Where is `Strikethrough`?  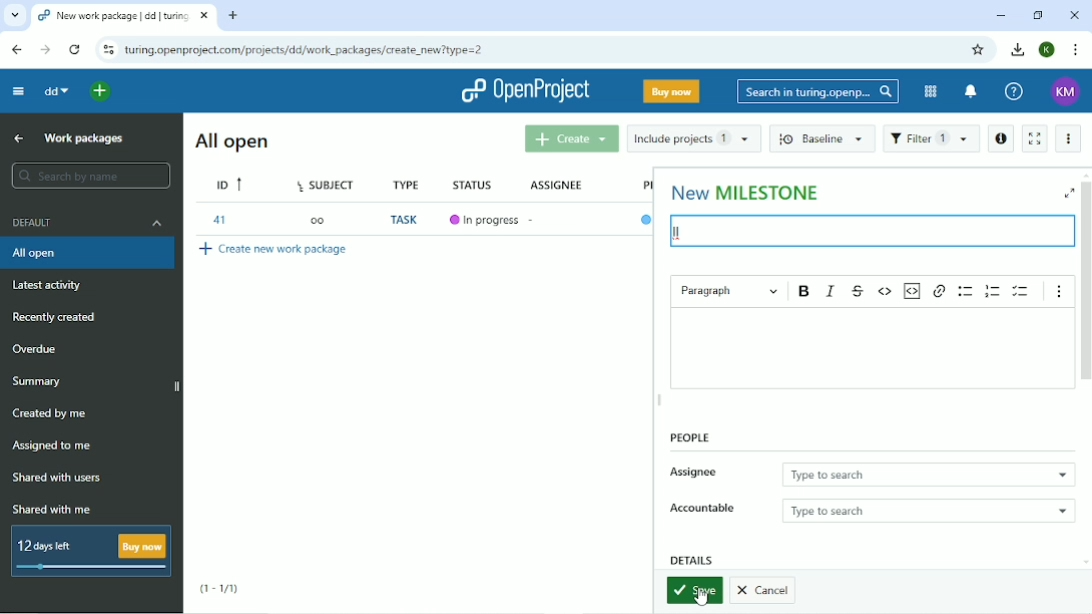
Strikethrough is located at coordinates (858, 290).